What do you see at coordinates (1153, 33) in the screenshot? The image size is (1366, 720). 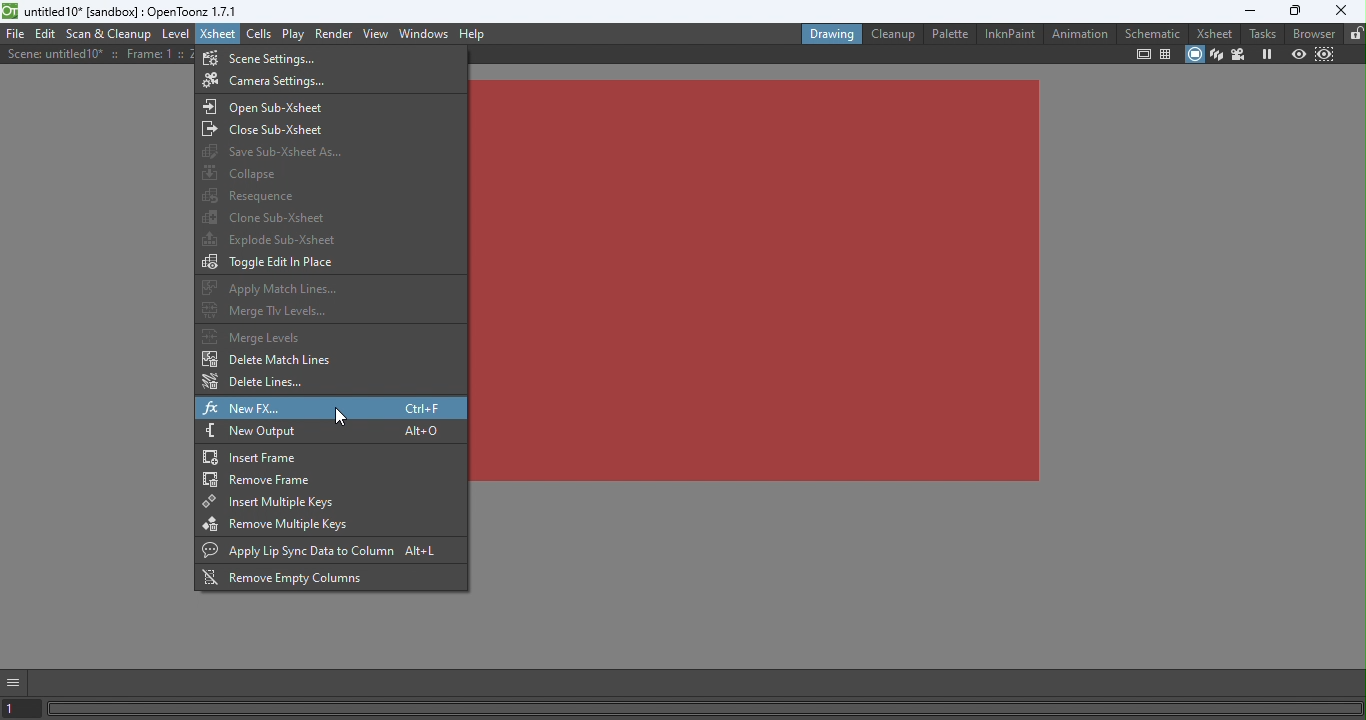 I see `Schematic` at bounding box center [1153, 33].